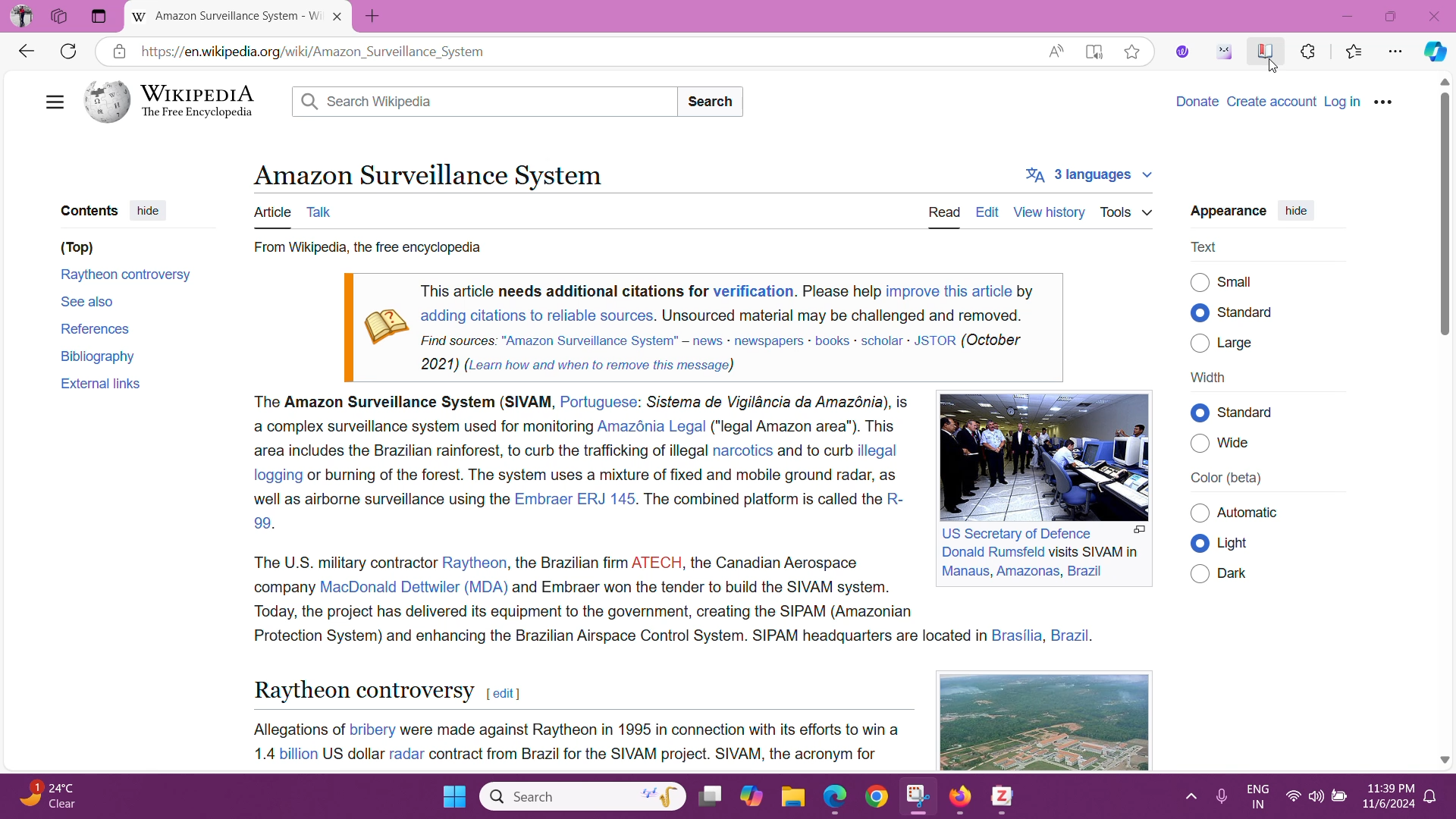  Describe the element at coordinates (617, 636) in the screenshot. I see `Protection System) and enhancing the Brazilian Airspace Control System. SIPAM headquarters are located in` at that location.